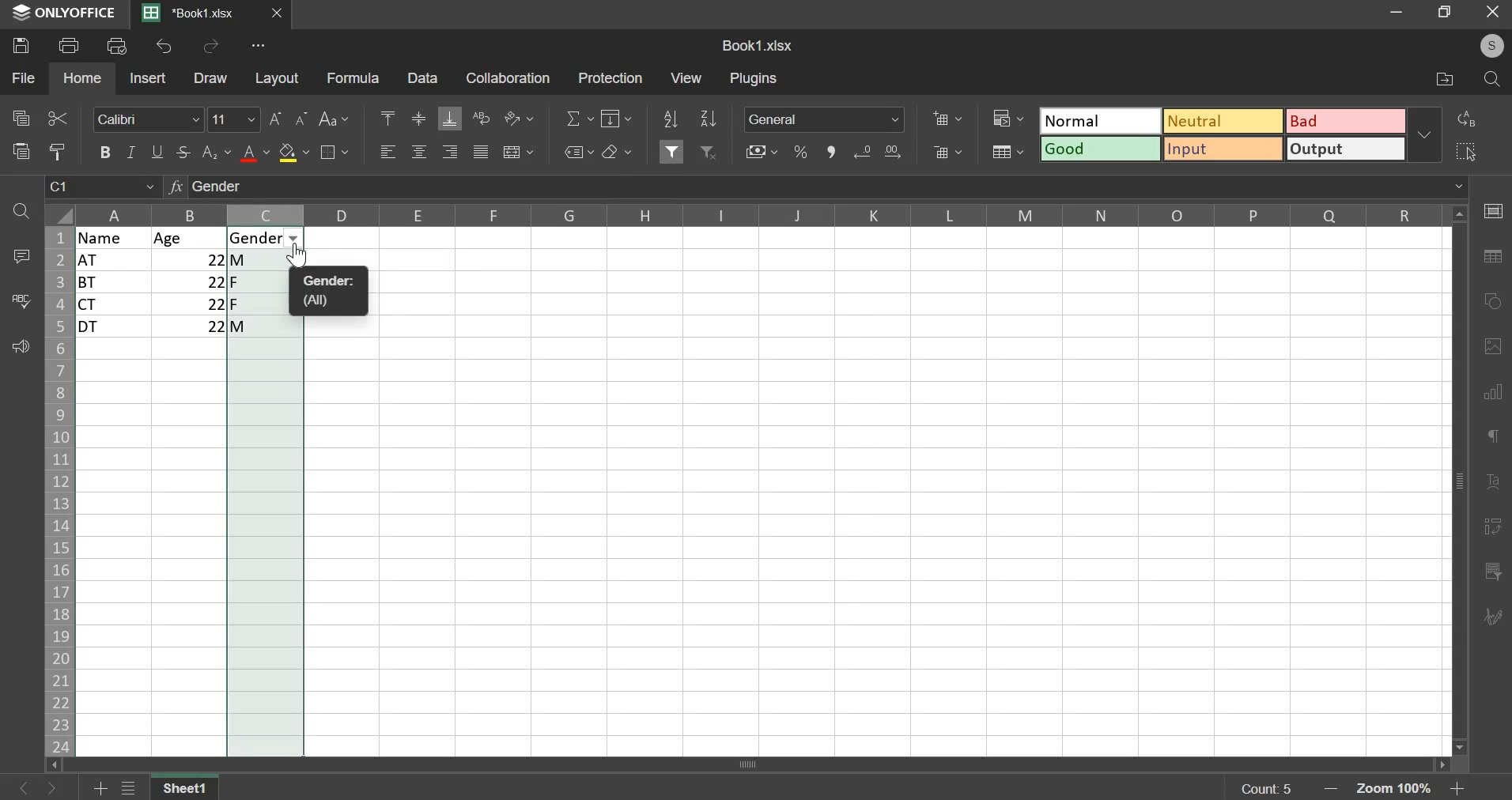 The width and height of the screenshot is (1512, 800). Describe the element at coordinates (832, 153) in the screenshot. I see `comma style` at that location.